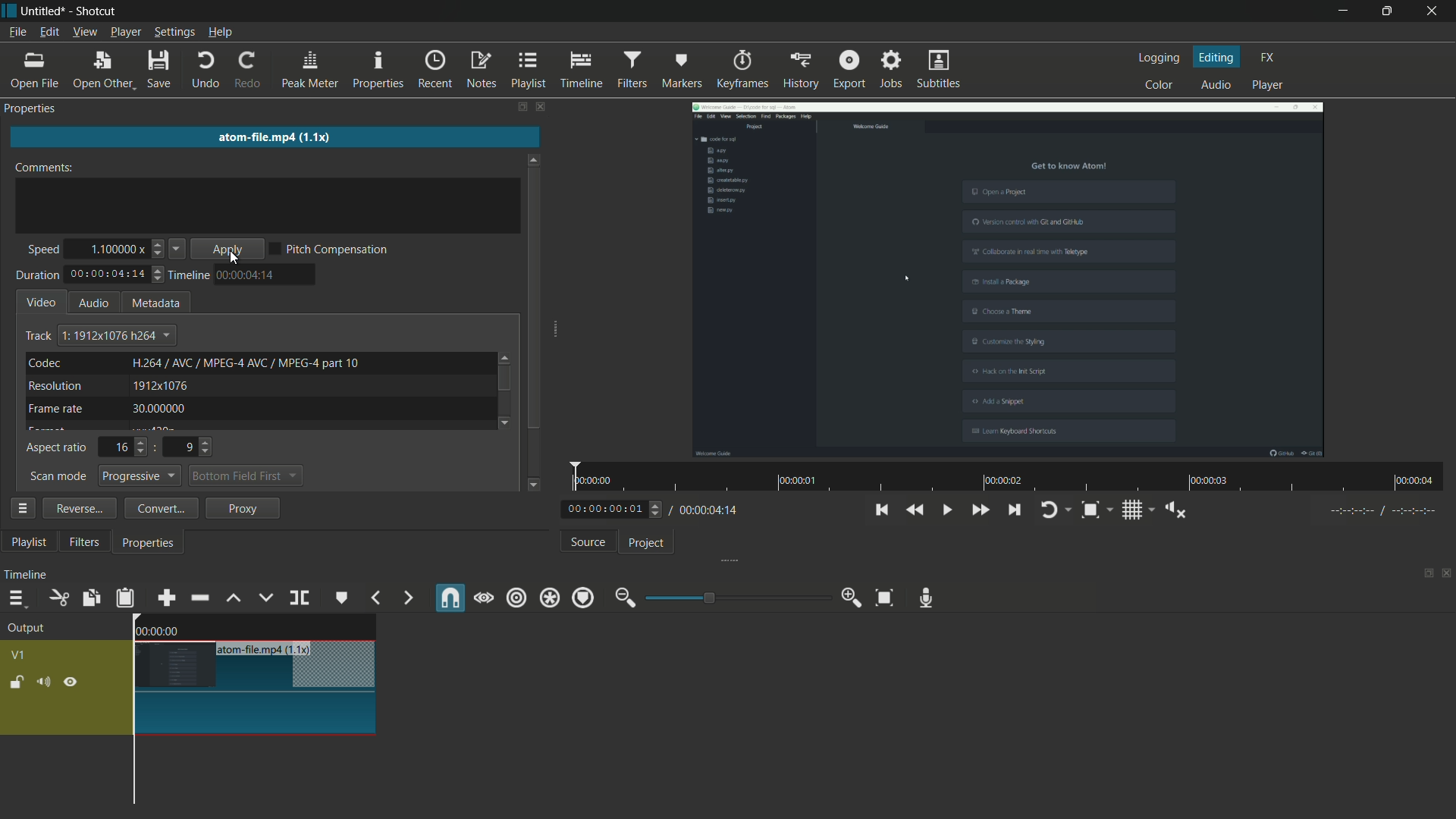 The width and height of the screenshot is (1456, 819). Describe the element at coordinates (1049, 510) in the screenshot. I see `toggle player looping` at that location.